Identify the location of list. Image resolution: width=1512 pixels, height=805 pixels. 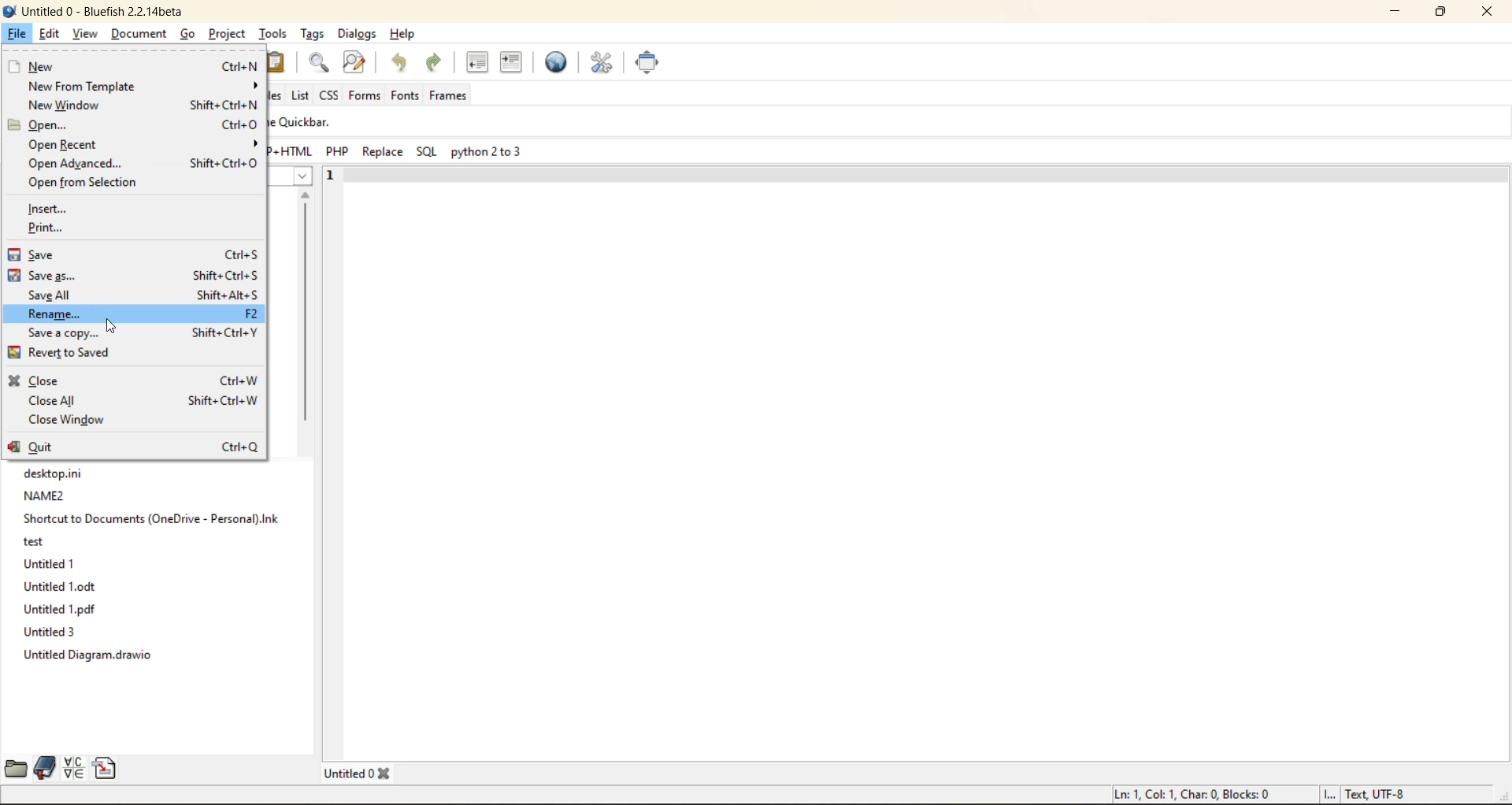
(298, 95).